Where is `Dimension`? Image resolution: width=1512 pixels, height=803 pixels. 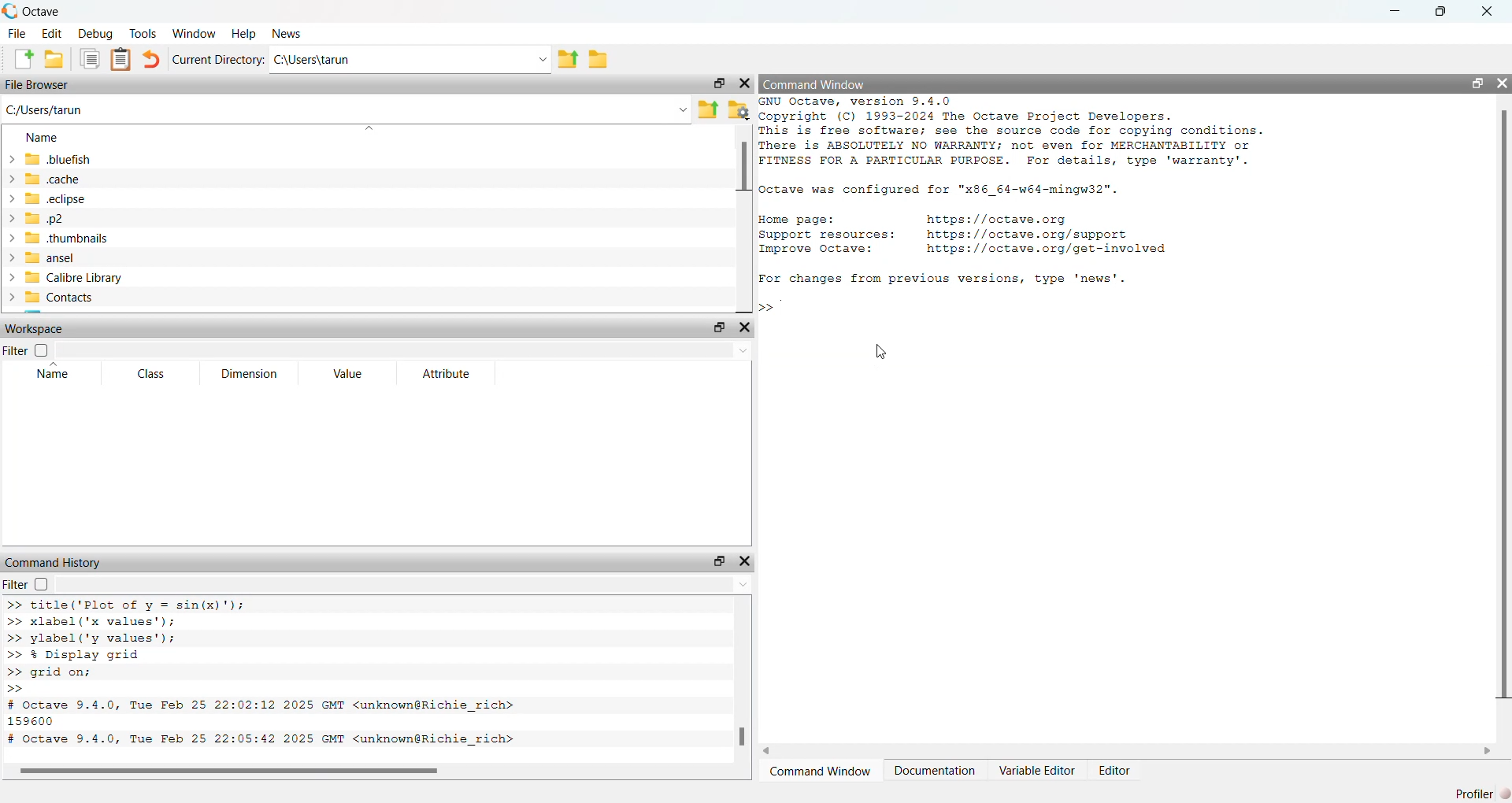 Dimension is located at coordinates (249, 373).